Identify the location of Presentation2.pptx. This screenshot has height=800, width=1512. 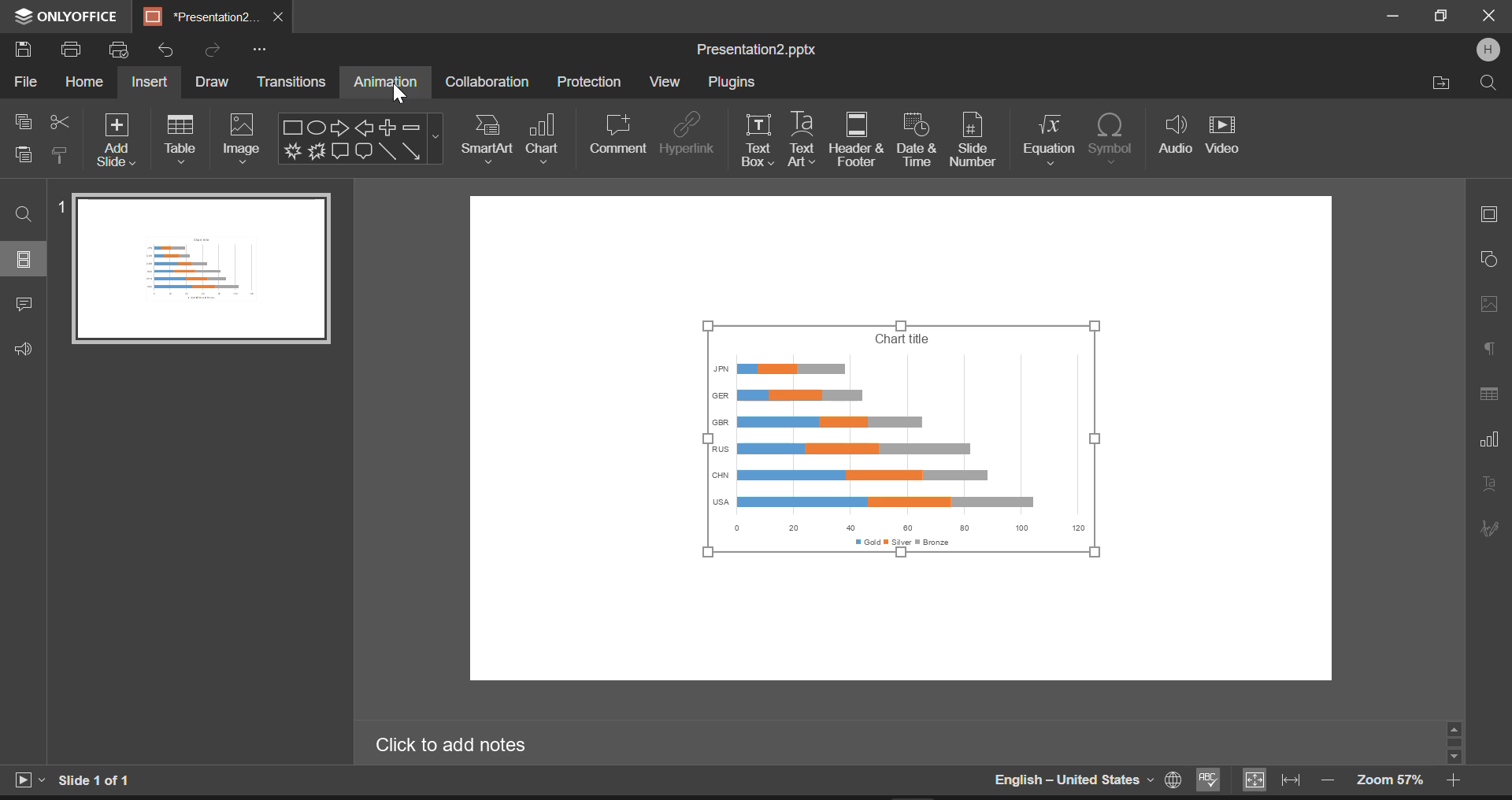
(762, 50).